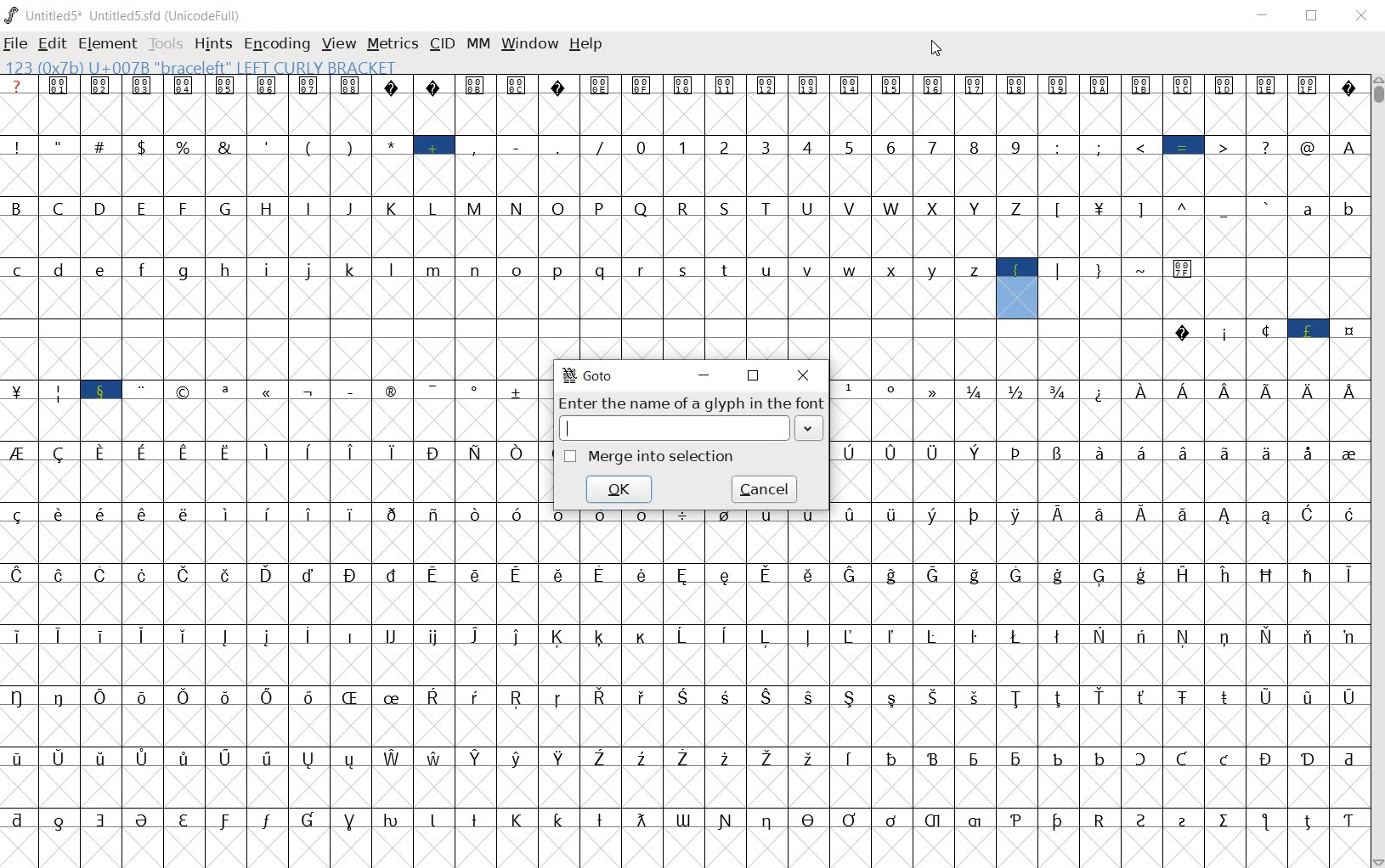 The image size is (1385, 868). What do you see at coordinates (442, 44) in the screenshot?
I see `CID` at bounding box center [442, 44].